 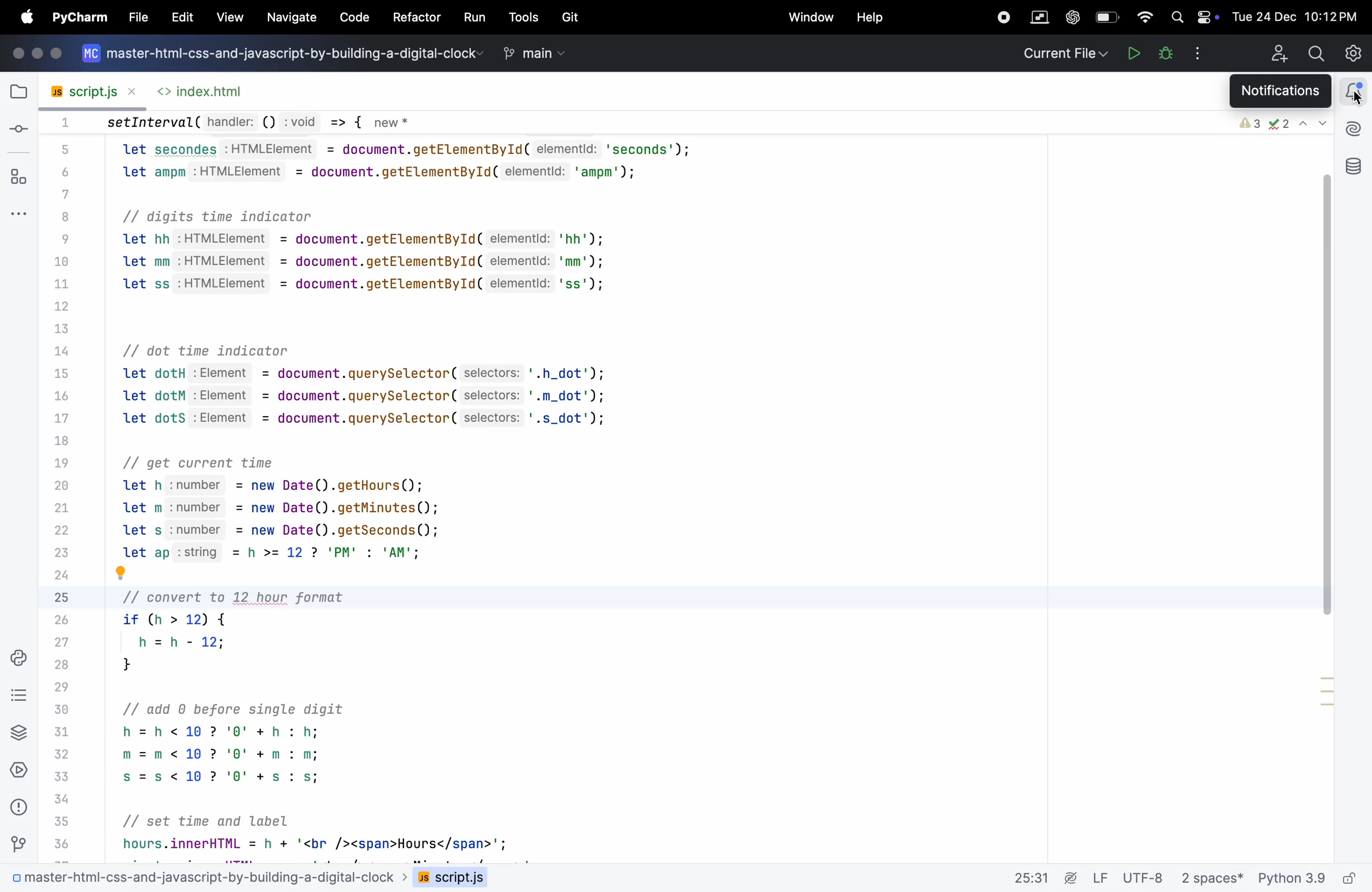 What do you see at coordinates (522, 17) in the screenshot?
I see `tools` at bounding box center [522, 17].